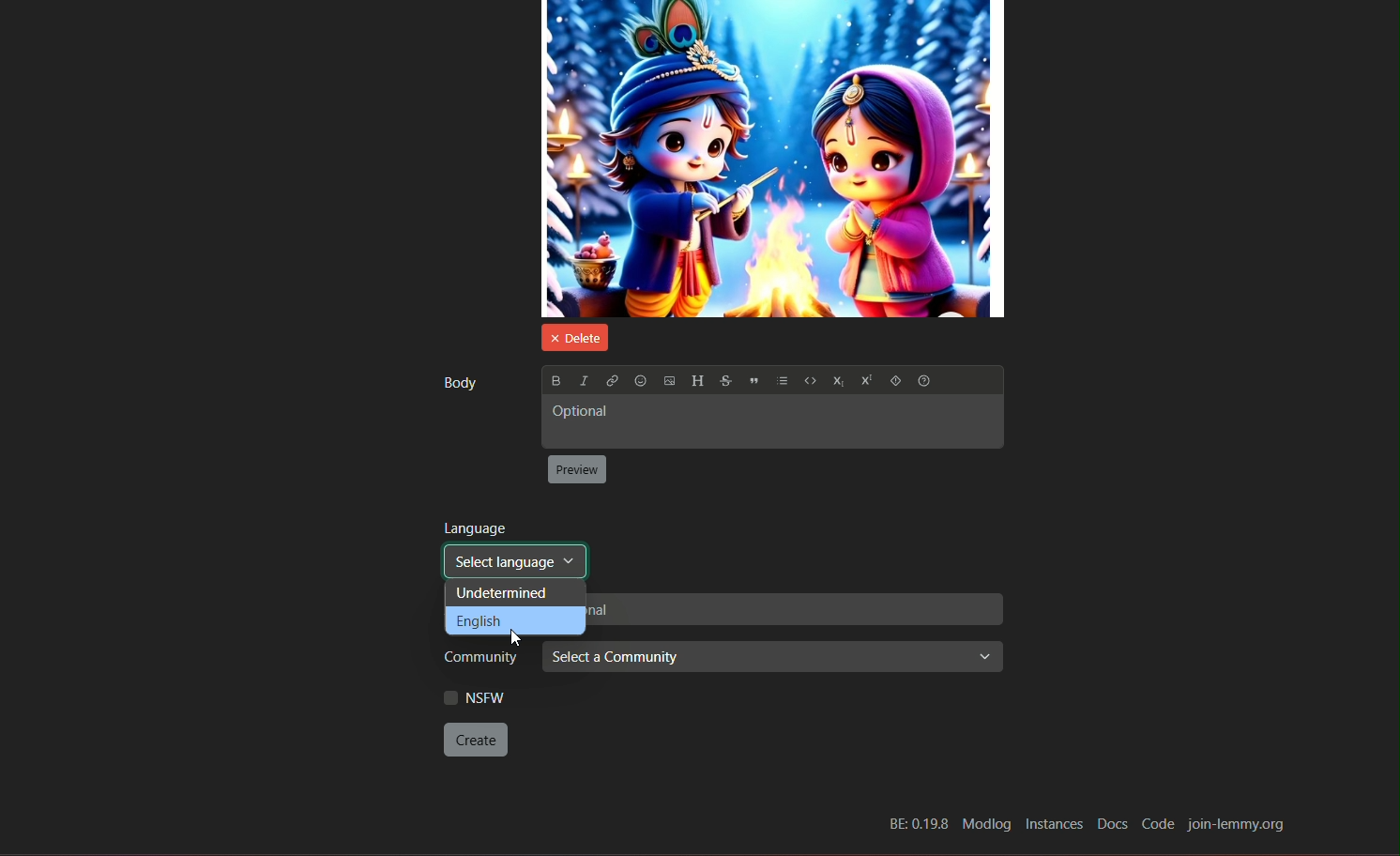  I want to click on upload image, so click(669, 382).